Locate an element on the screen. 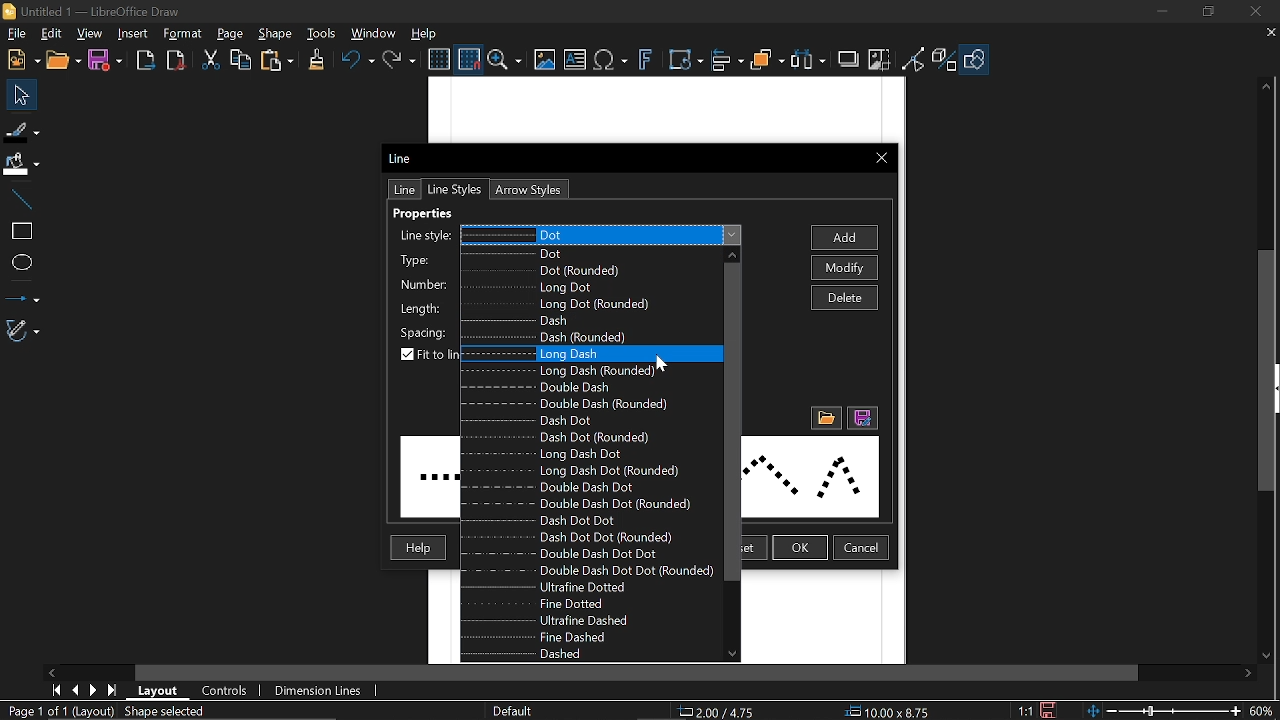 This screenshot has width=1280, height=720. Reset is located at coordinates (739, 549).